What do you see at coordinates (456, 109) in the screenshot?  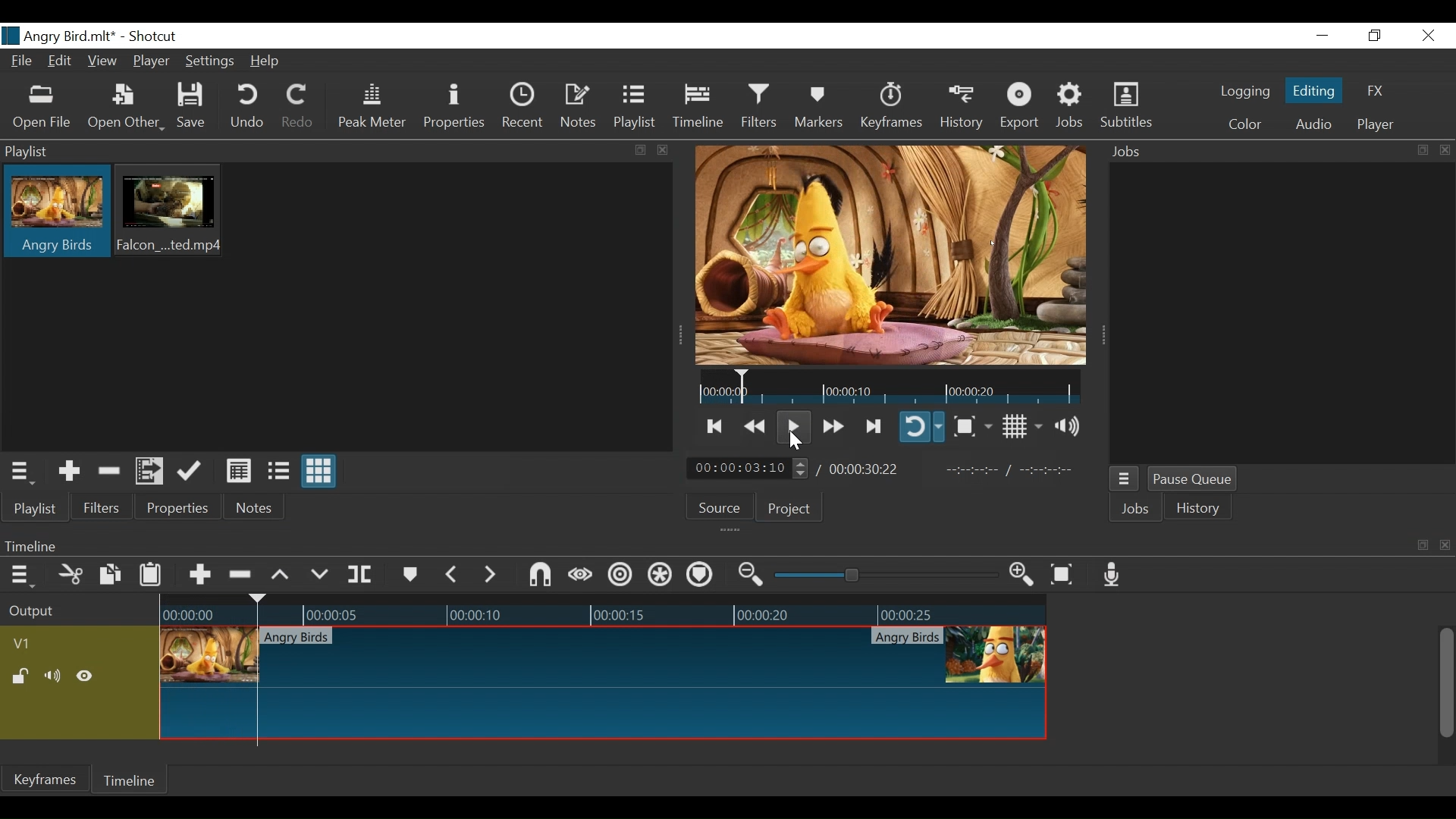 I see `Properties` at bounding box center [456, 109].